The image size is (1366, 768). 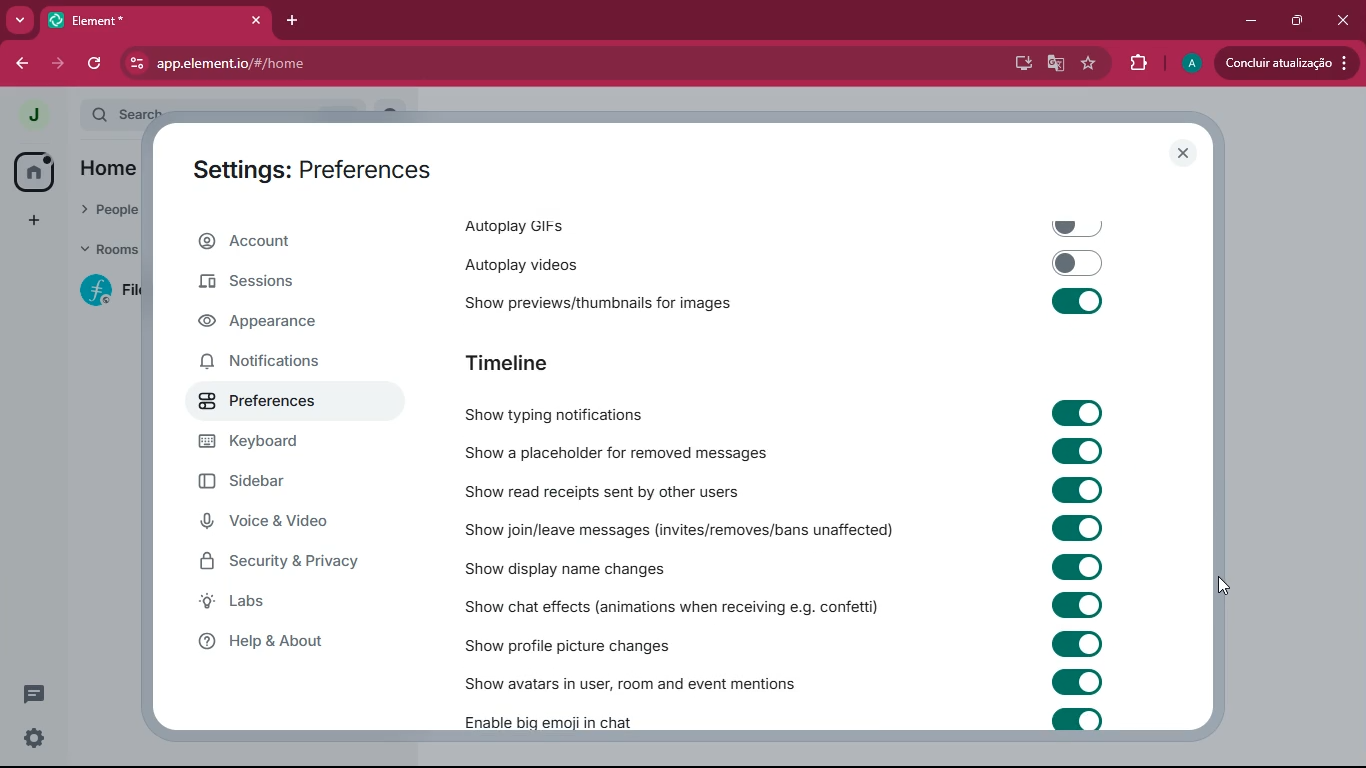 What do you see at coordinates (1251, 21) in the screenshot?
I see `minimize` at bounding box center [1251, 21].